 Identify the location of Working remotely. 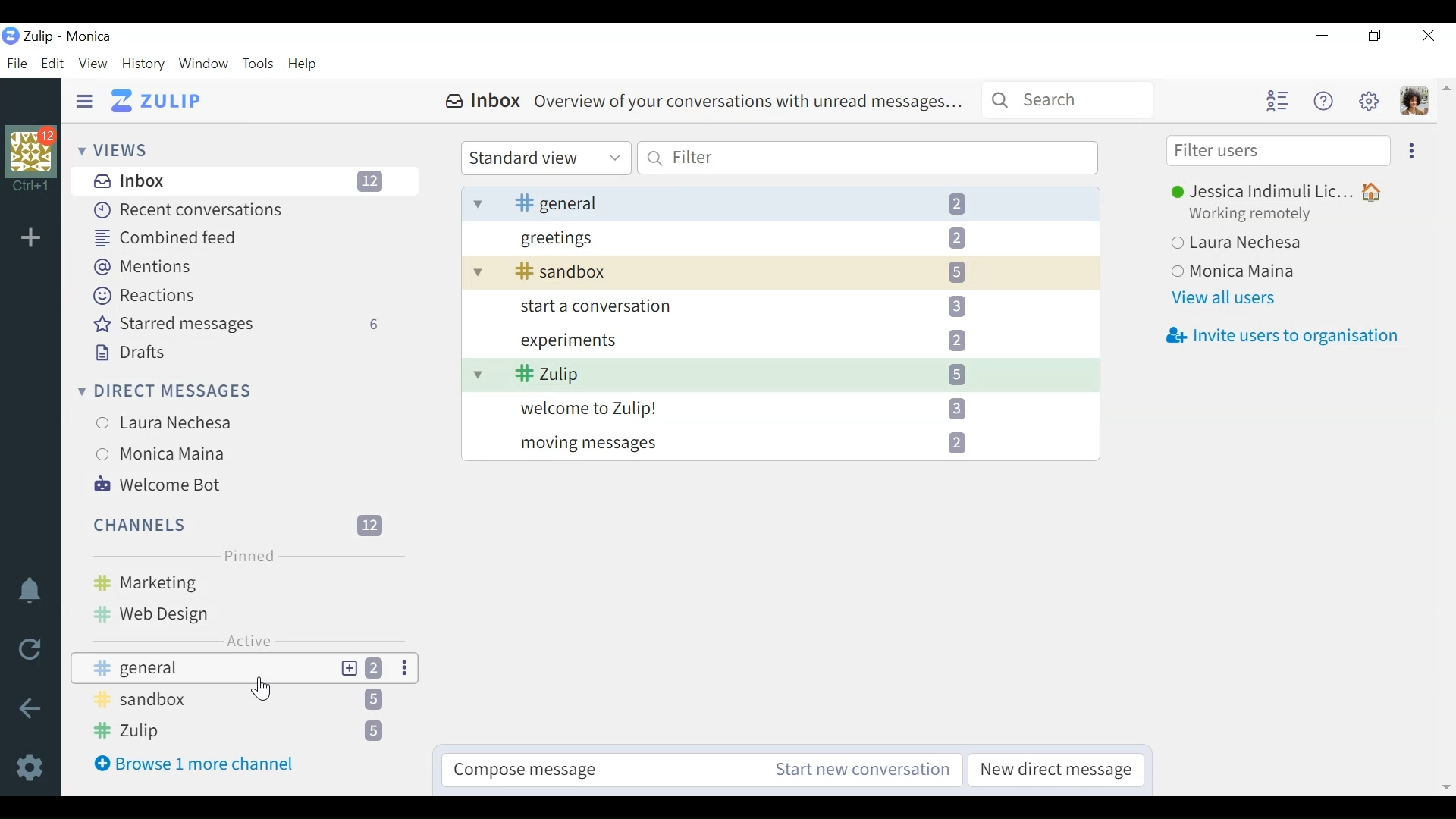
(1260, 215).